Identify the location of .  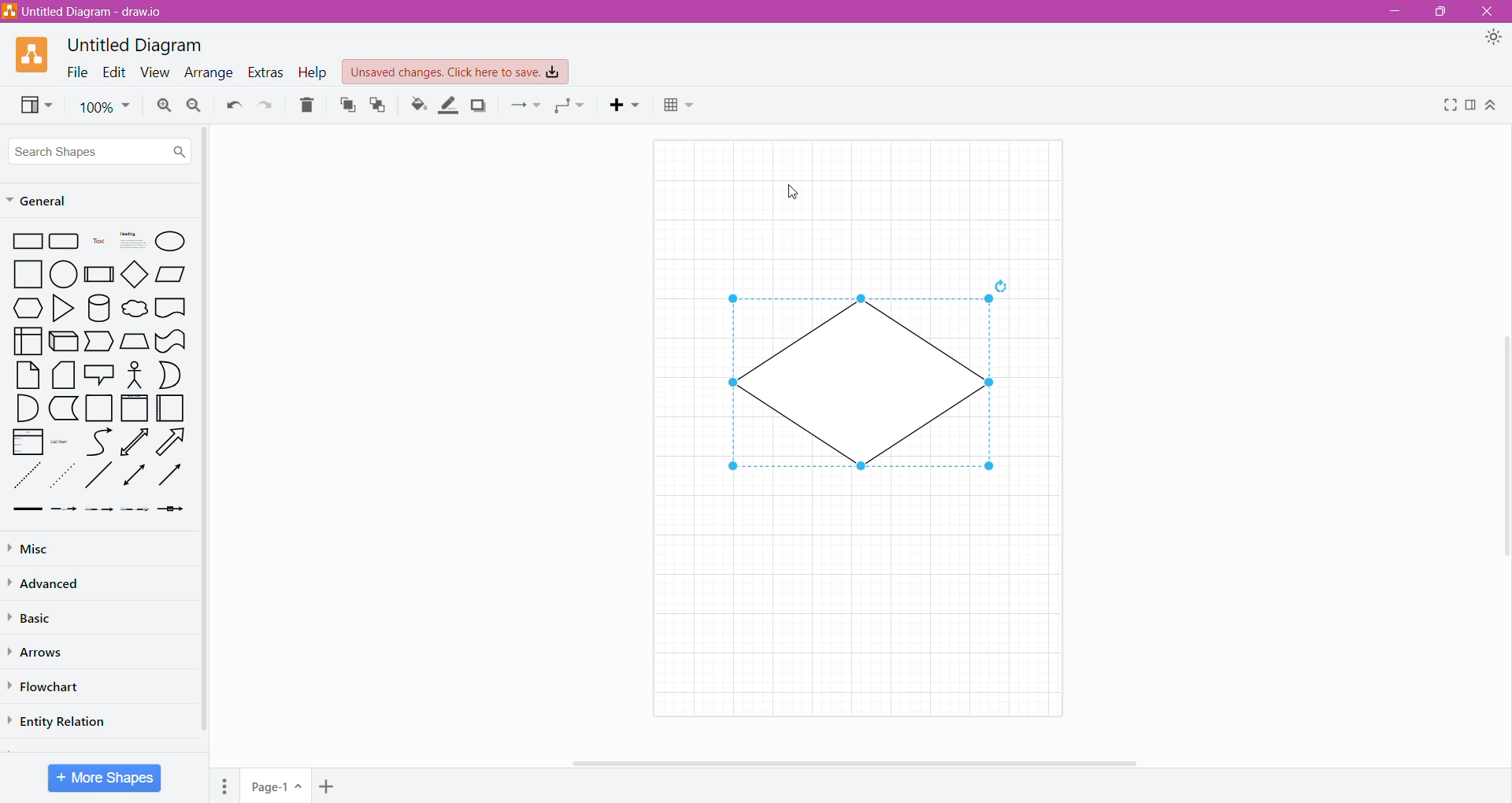
(276, 786).